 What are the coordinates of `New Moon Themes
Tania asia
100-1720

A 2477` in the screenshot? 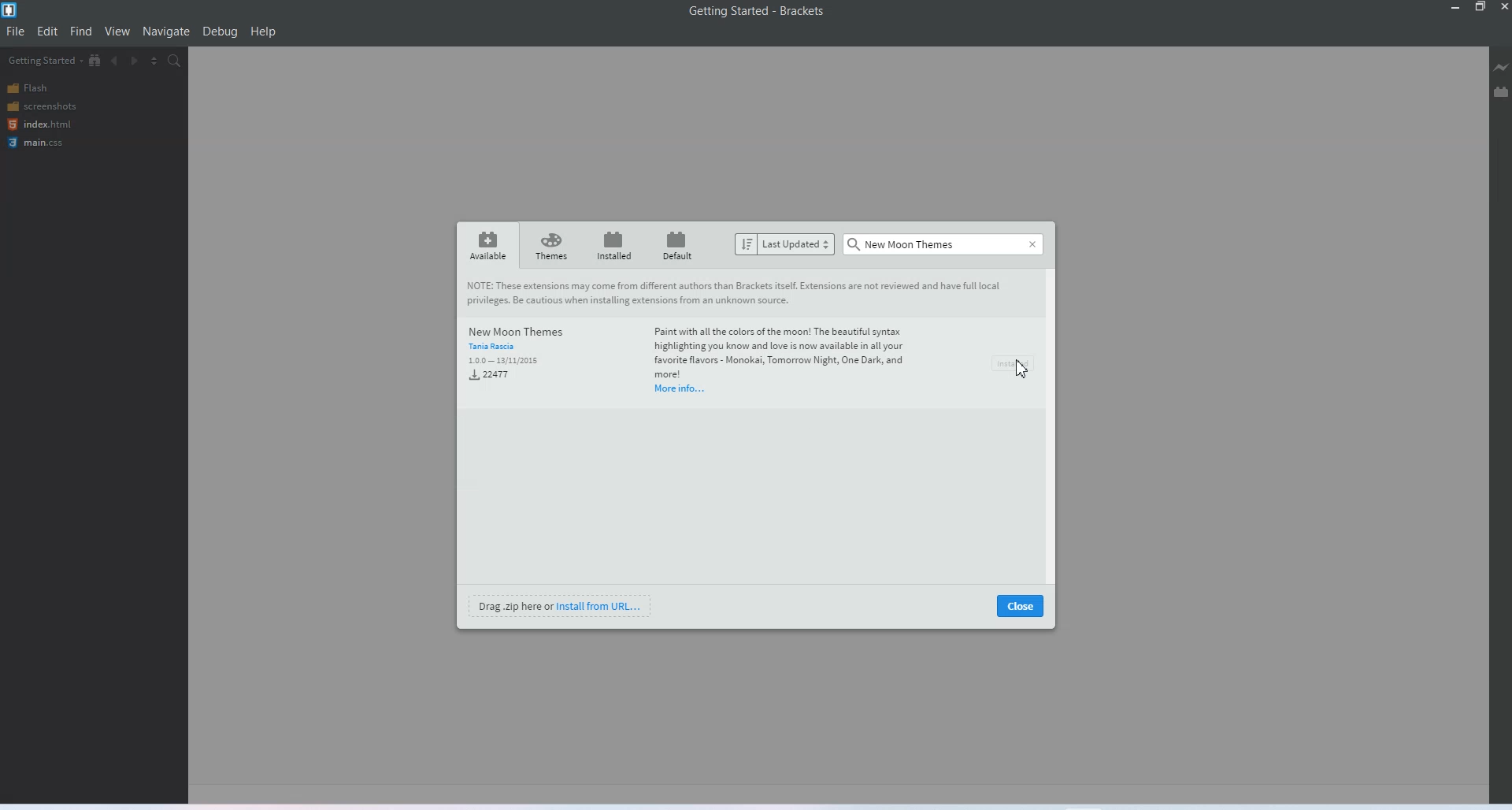 It's located at (521, 354).